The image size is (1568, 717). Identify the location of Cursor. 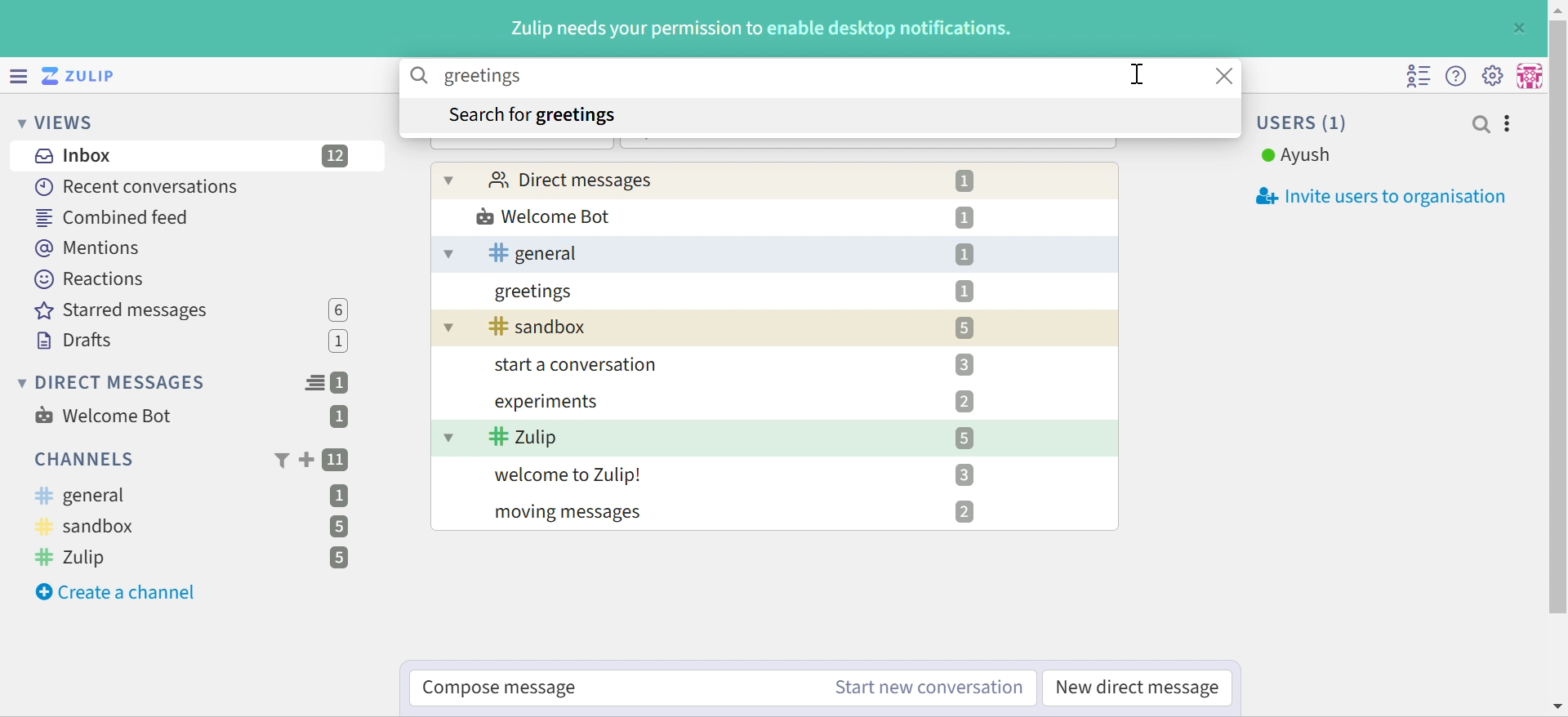
(1137, 73).